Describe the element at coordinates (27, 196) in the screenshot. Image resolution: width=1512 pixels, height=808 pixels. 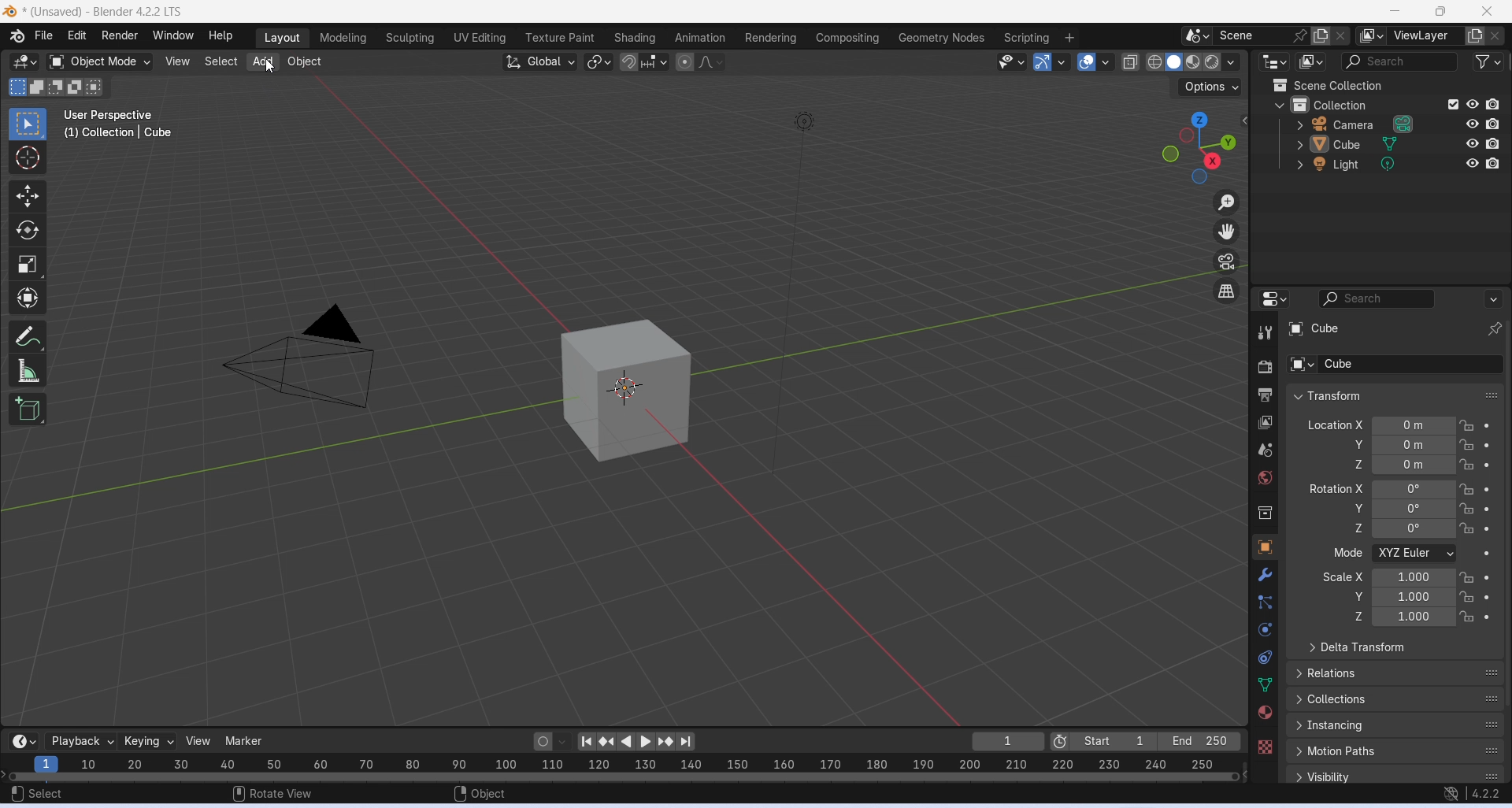
I see `Move` at that location.